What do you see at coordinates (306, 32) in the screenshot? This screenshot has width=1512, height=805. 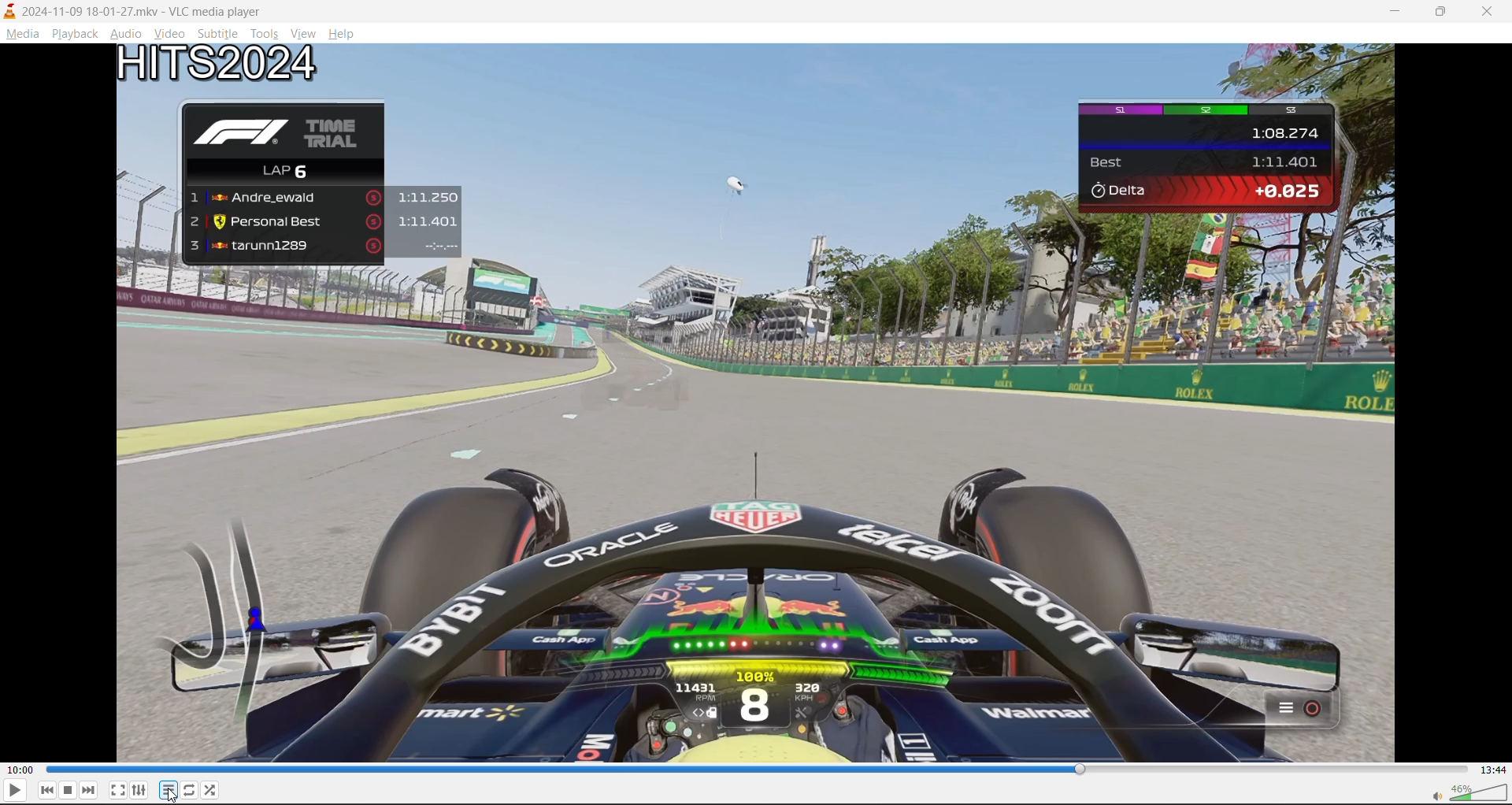 I see `view` at bounding box center [306, 32].